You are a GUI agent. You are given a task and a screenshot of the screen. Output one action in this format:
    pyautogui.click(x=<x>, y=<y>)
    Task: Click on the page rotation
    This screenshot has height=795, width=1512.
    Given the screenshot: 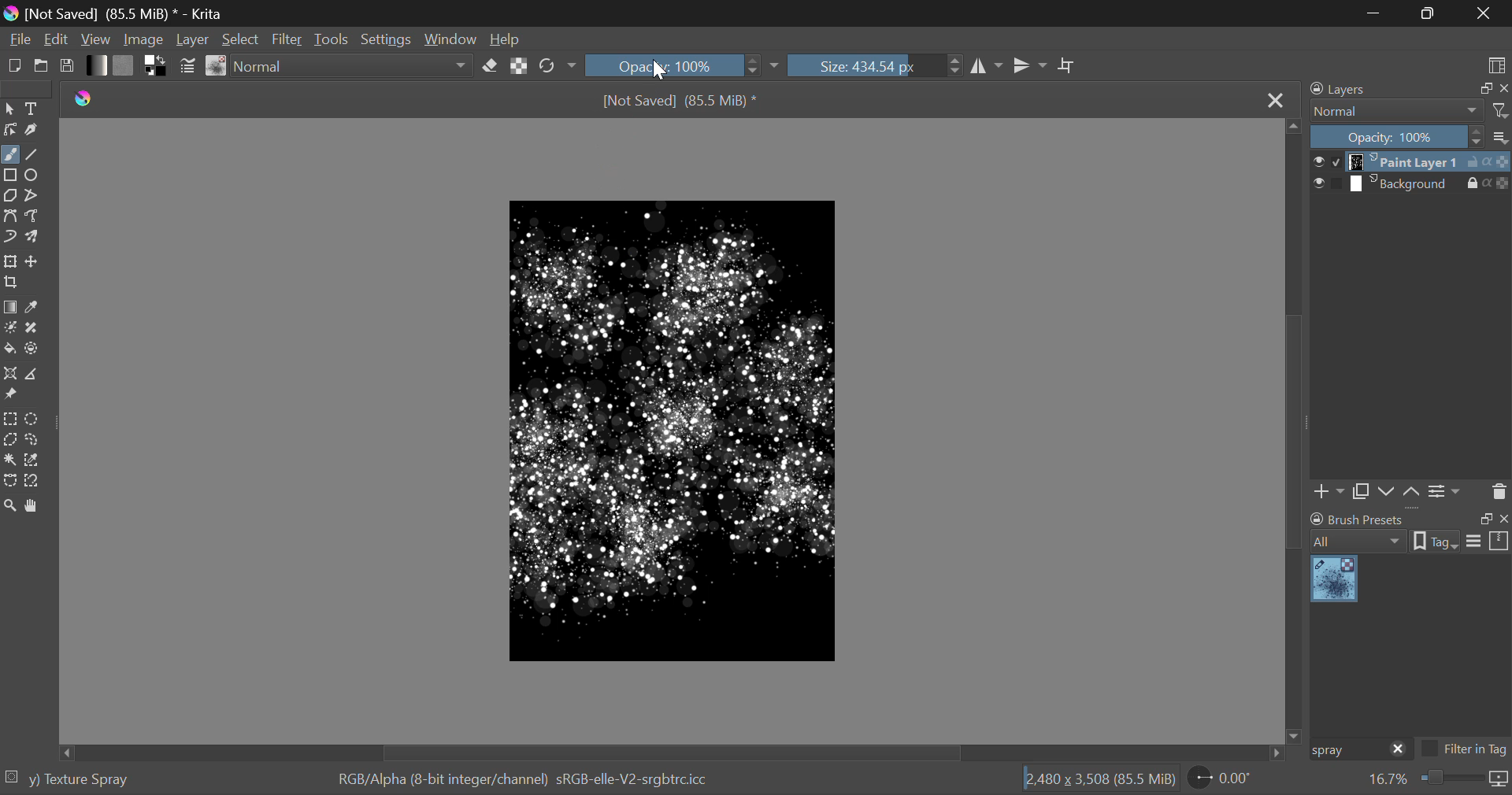 What is the action you would take?
    pyautogui.click(x=1221, y=777)
    